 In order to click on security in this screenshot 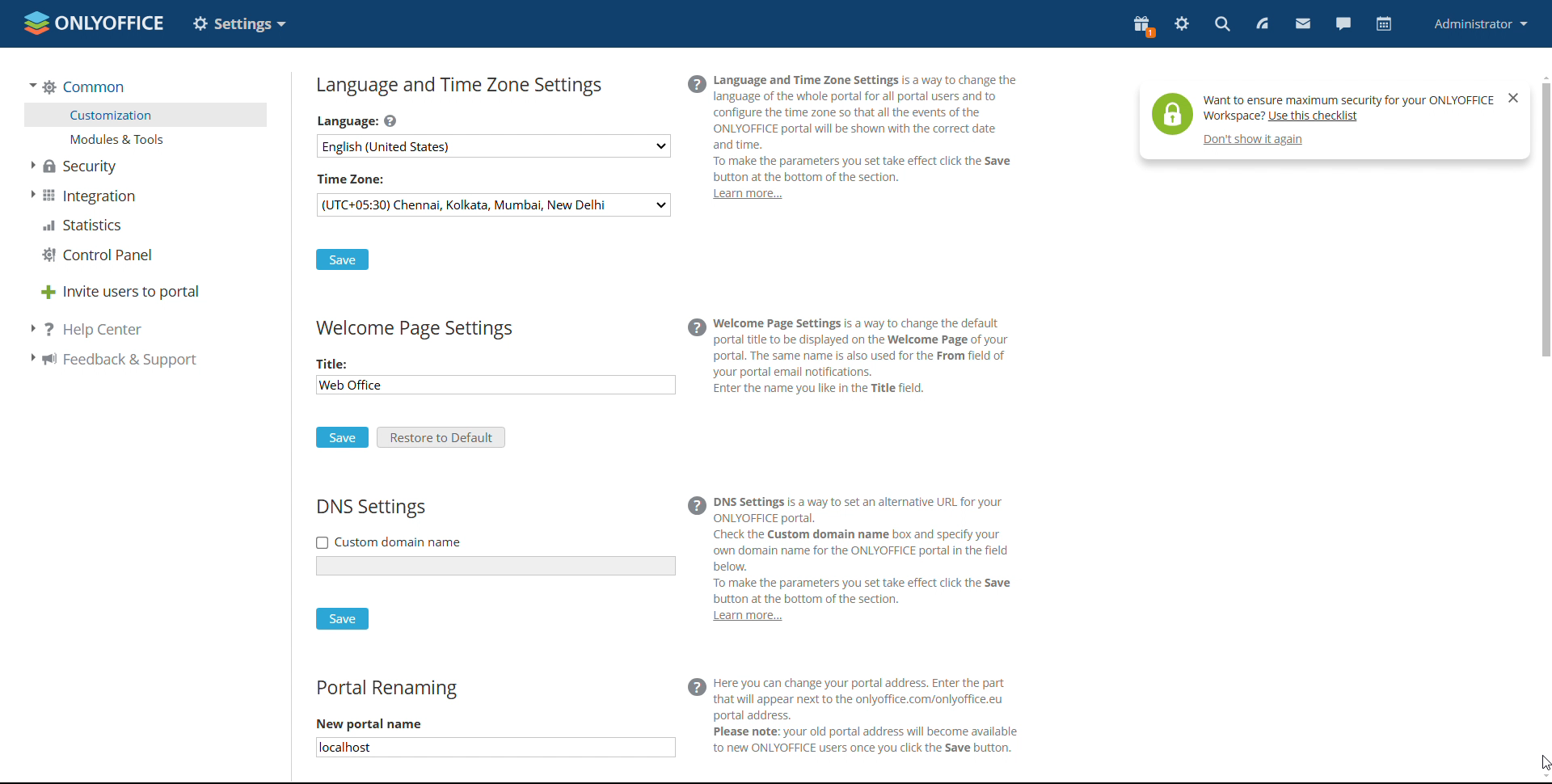, I will do `click(76, 166)`.